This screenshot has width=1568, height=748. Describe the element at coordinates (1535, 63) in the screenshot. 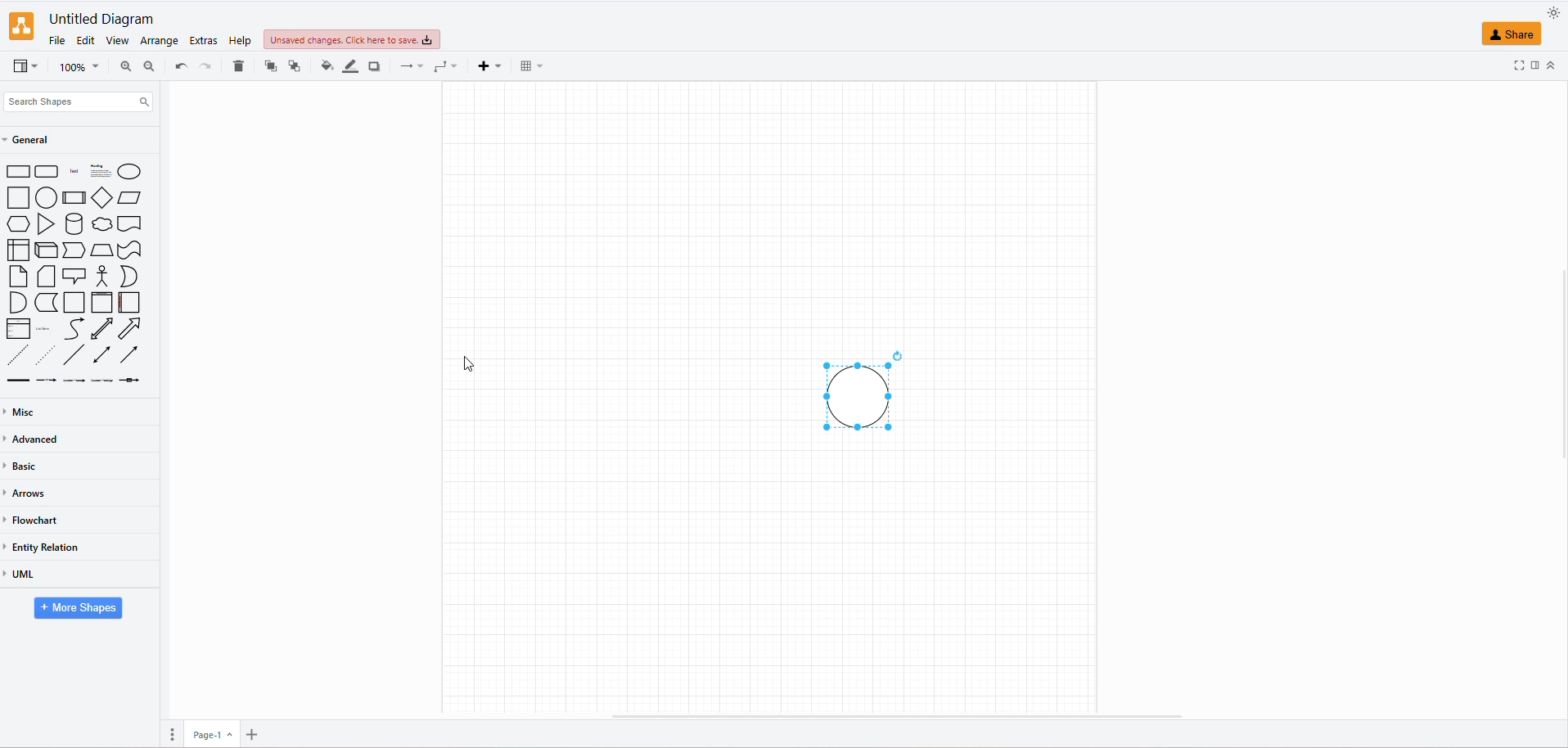

I see `FOMRAT` at that location.